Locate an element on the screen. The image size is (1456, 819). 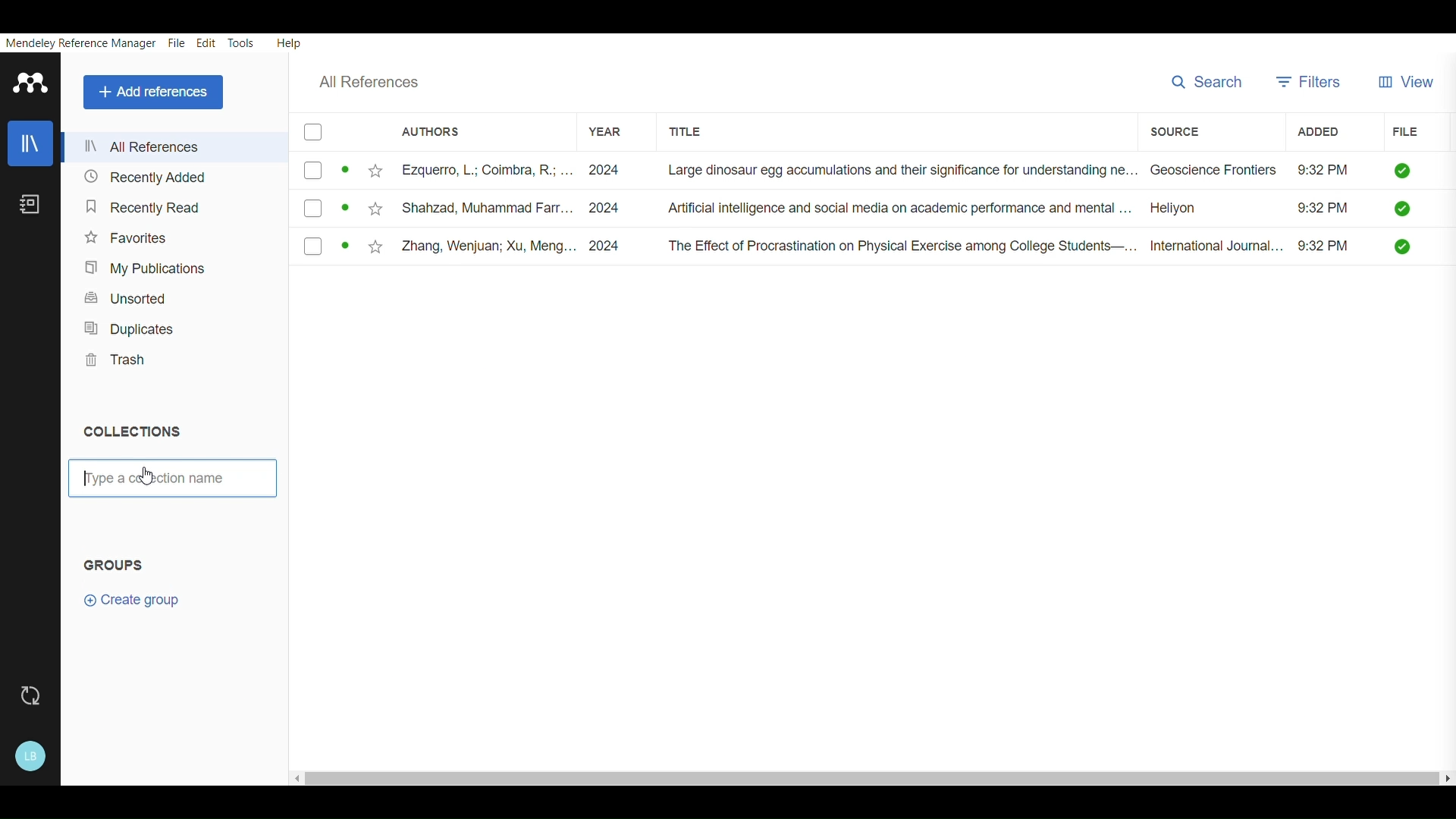
checkbox is located at coordinates (322, 248).